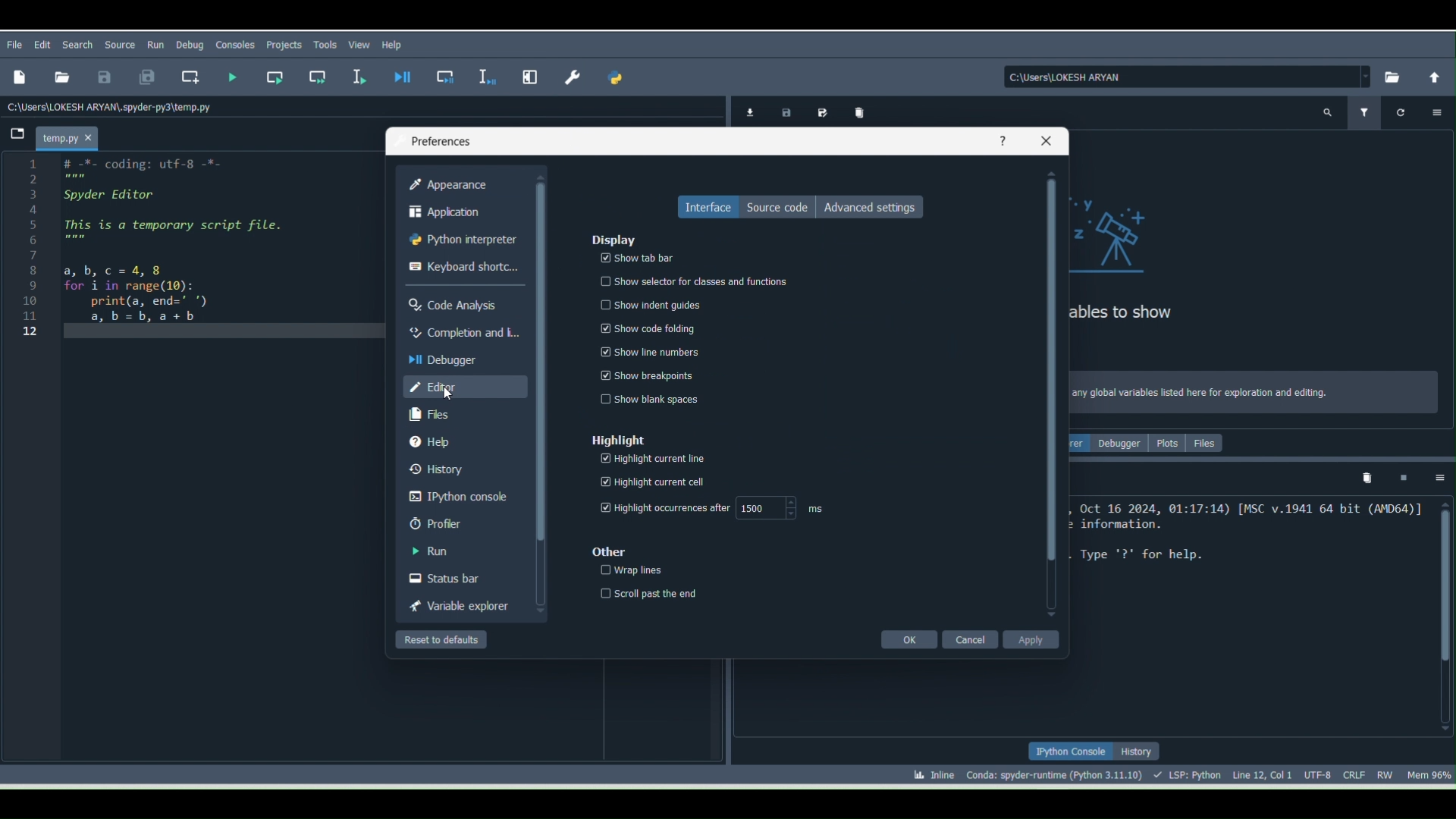  What do you see at coordinates (457, 440) in the screenshot?
I see `Help` at bounding box center [457, 440].